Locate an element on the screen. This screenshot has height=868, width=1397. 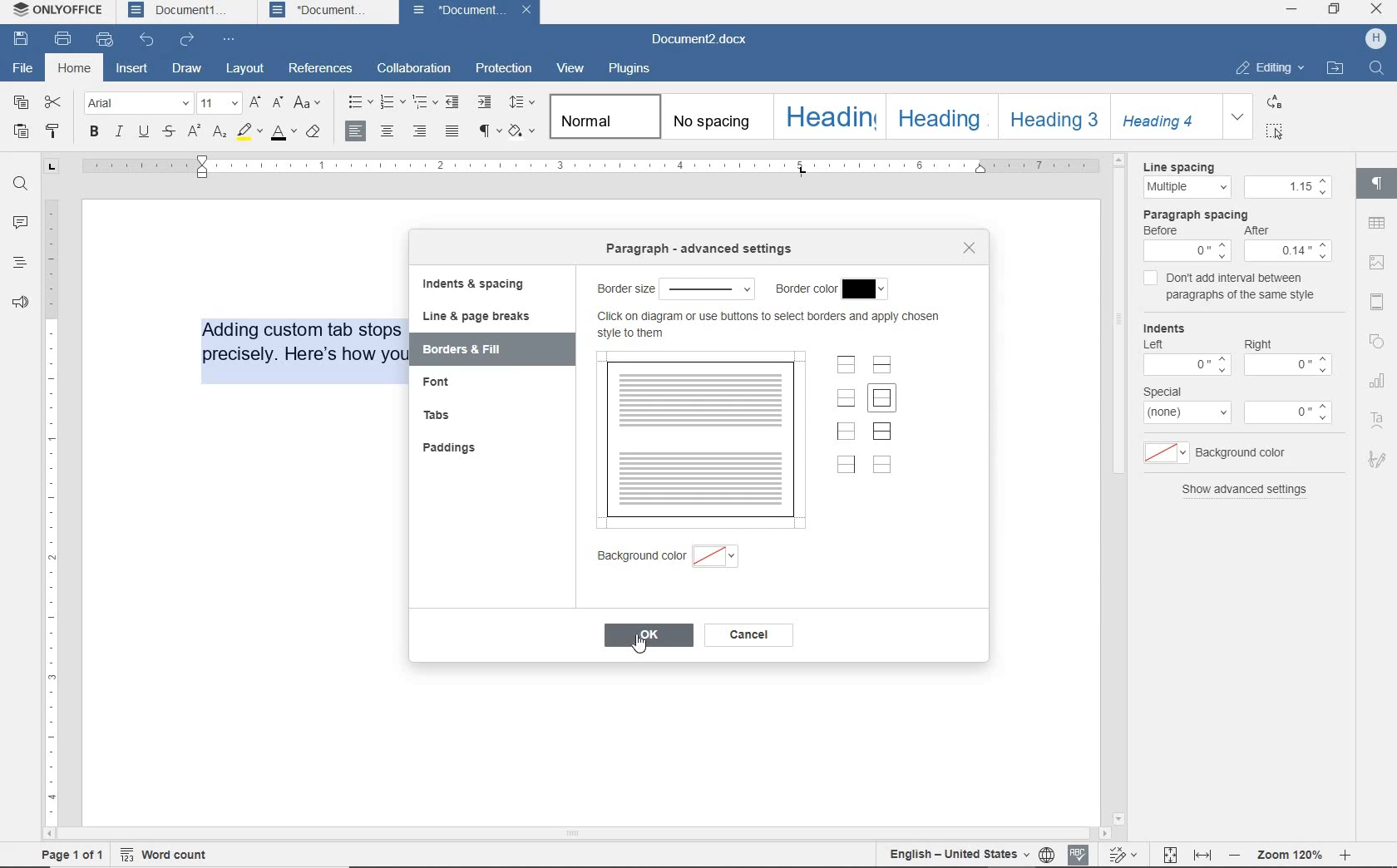
headings is located at coordinates (17, 264).